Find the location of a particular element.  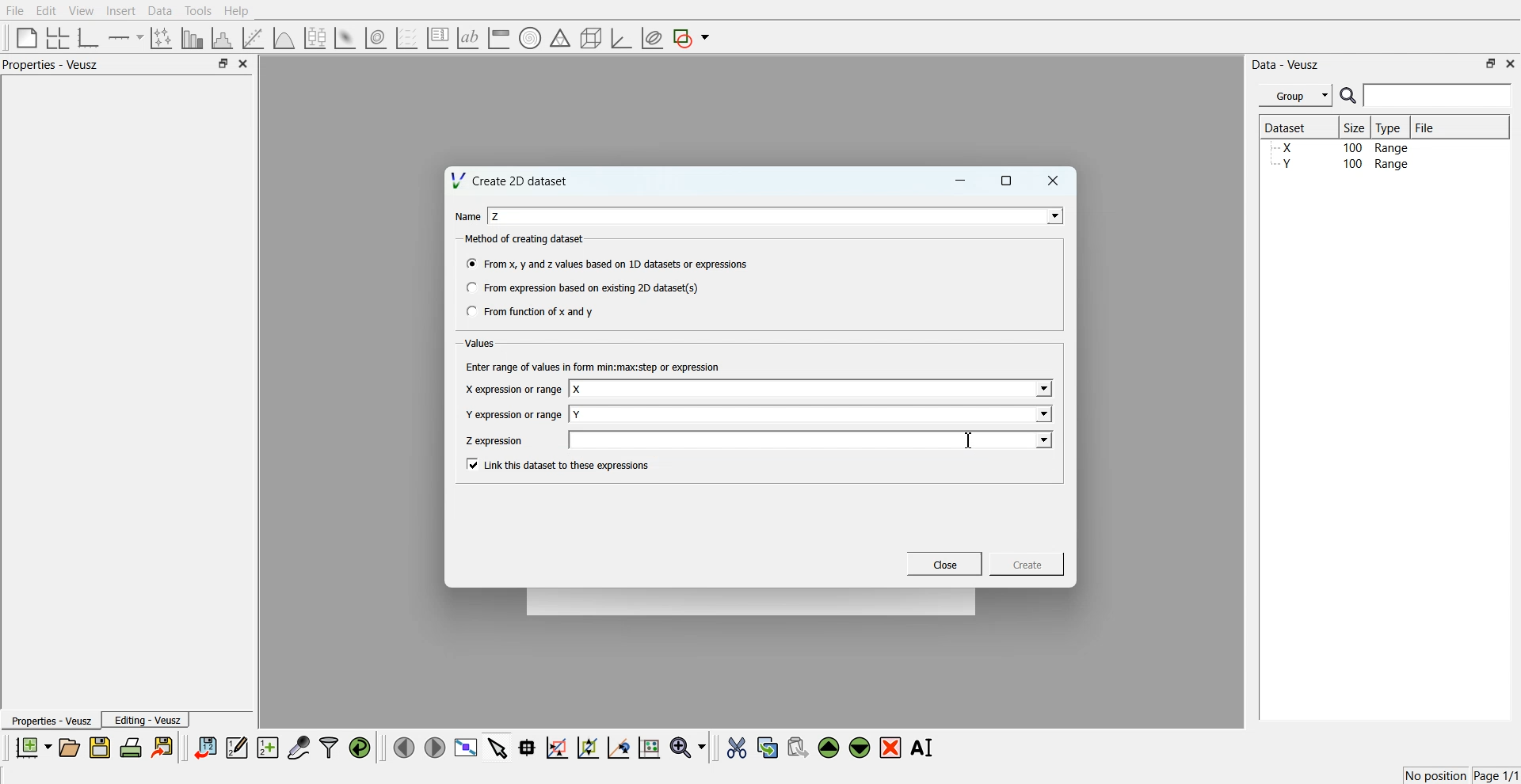

|  (& Fromx, y and z values based on 1D datasets or expressions is located at coordinates (608, 262).